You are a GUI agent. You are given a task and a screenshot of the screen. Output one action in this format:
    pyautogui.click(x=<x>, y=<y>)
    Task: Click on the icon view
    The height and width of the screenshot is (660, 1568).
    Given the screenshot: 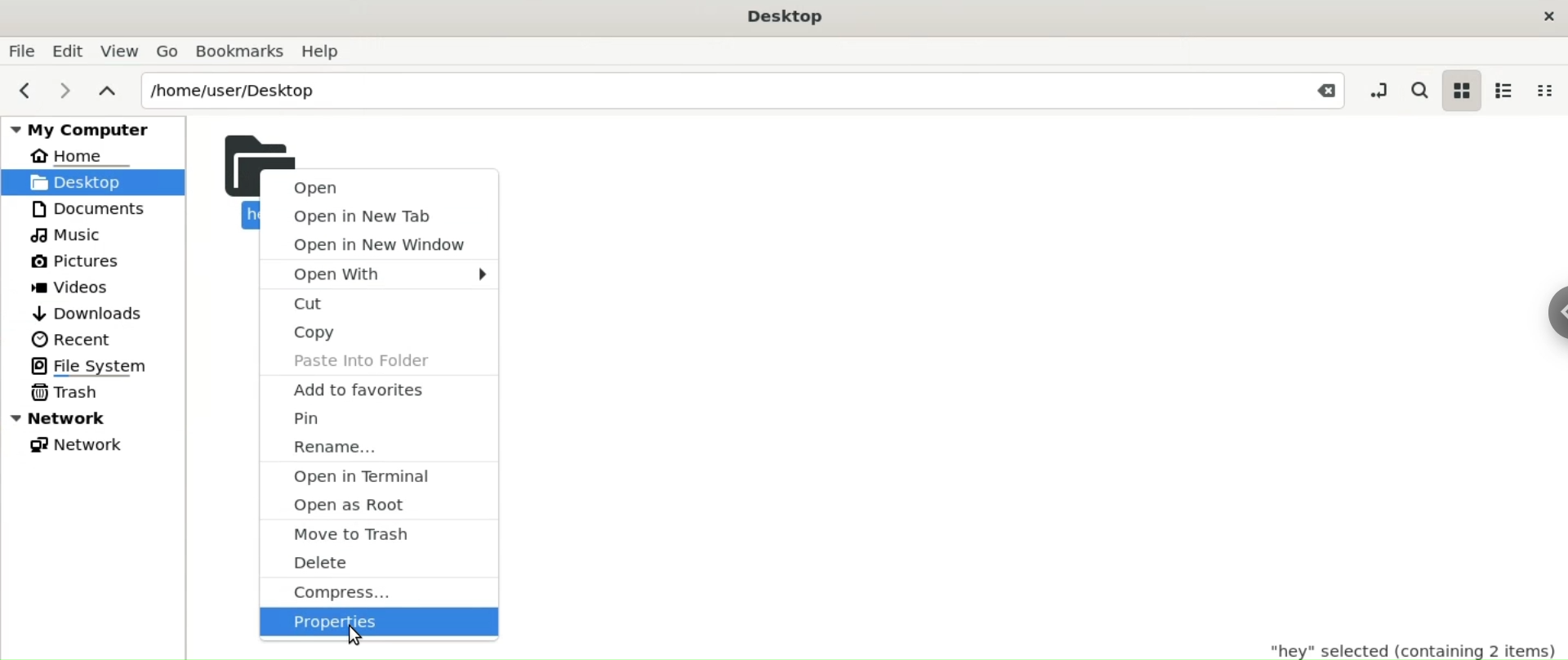 What is the action you would take?
    pyautogui.click(x=1462, y=91)
    